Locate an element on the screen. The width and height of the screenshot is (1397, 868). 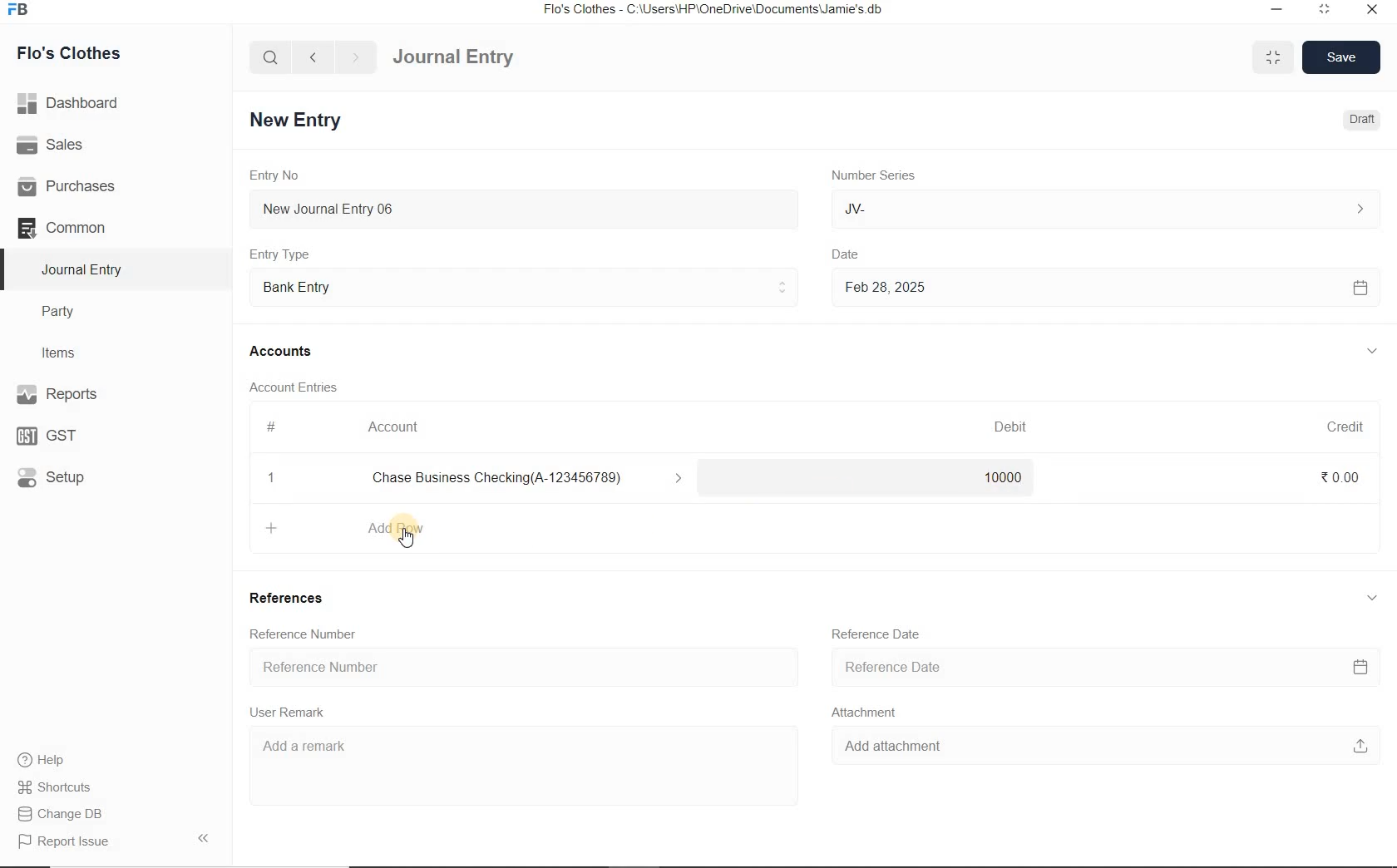
Flo's Clothes is located at coordinates (81, 53).